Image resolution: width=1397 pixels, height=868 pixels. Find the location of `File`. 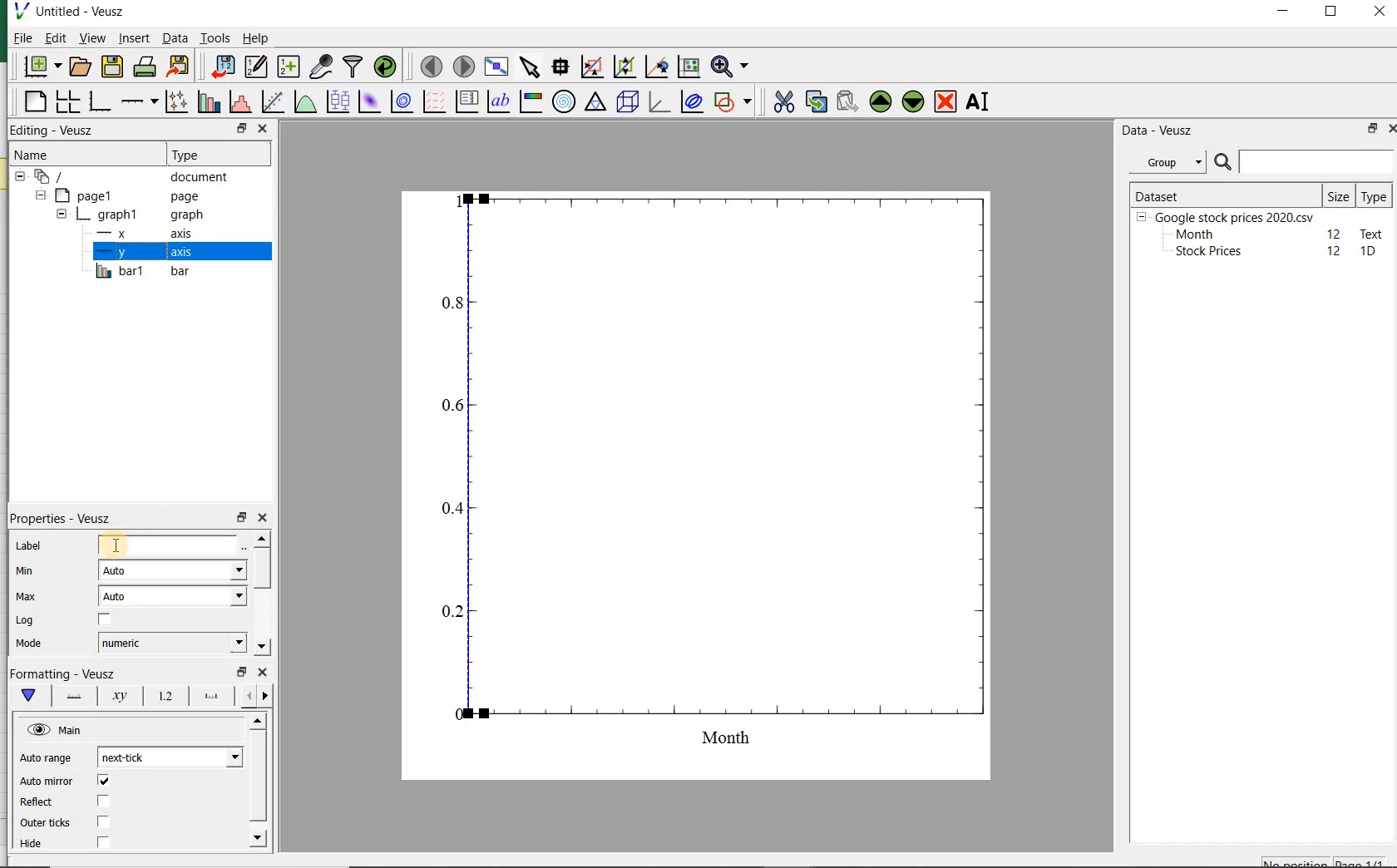

File is located at coordinates (18, 40).